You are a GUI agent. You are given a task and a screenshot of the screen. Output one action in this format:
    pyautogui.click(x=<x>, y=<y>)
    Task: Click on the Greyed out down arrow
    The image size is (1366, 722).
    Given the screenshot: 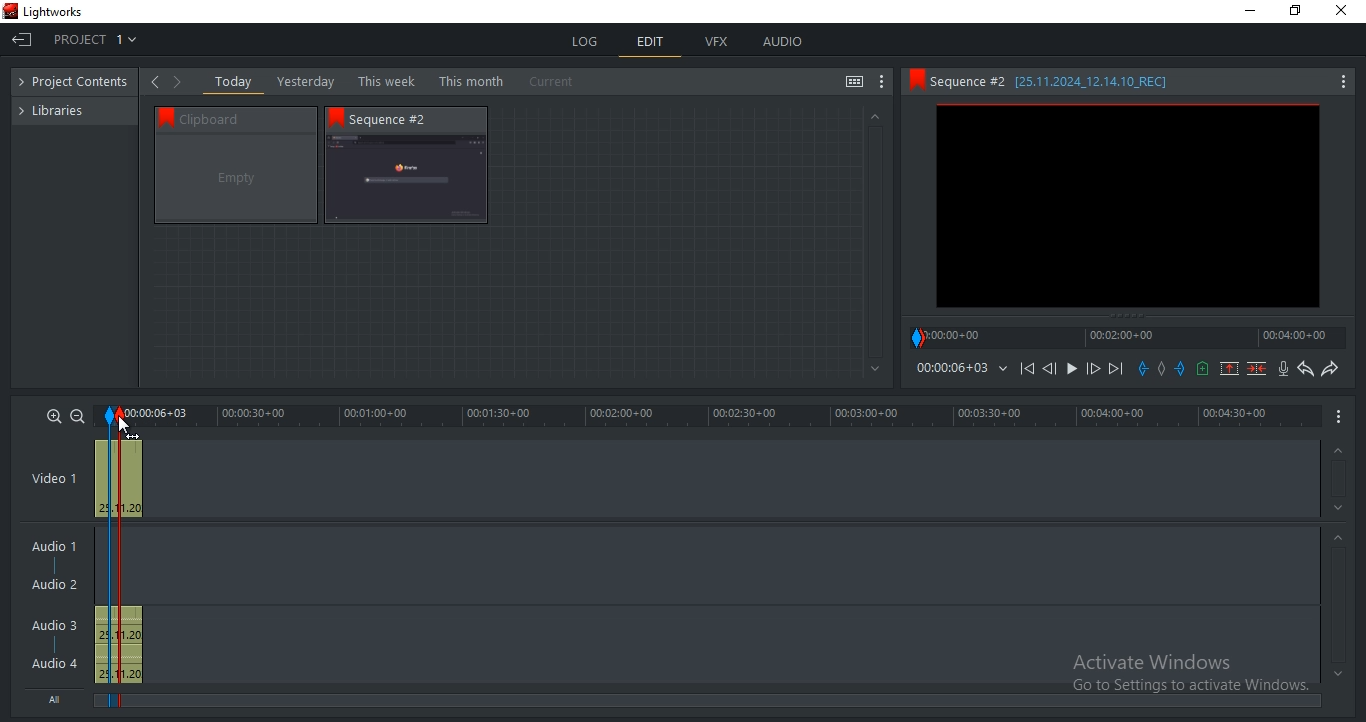 What is the action you would take?
    pyautogui.click(x=1341, y=511)
    